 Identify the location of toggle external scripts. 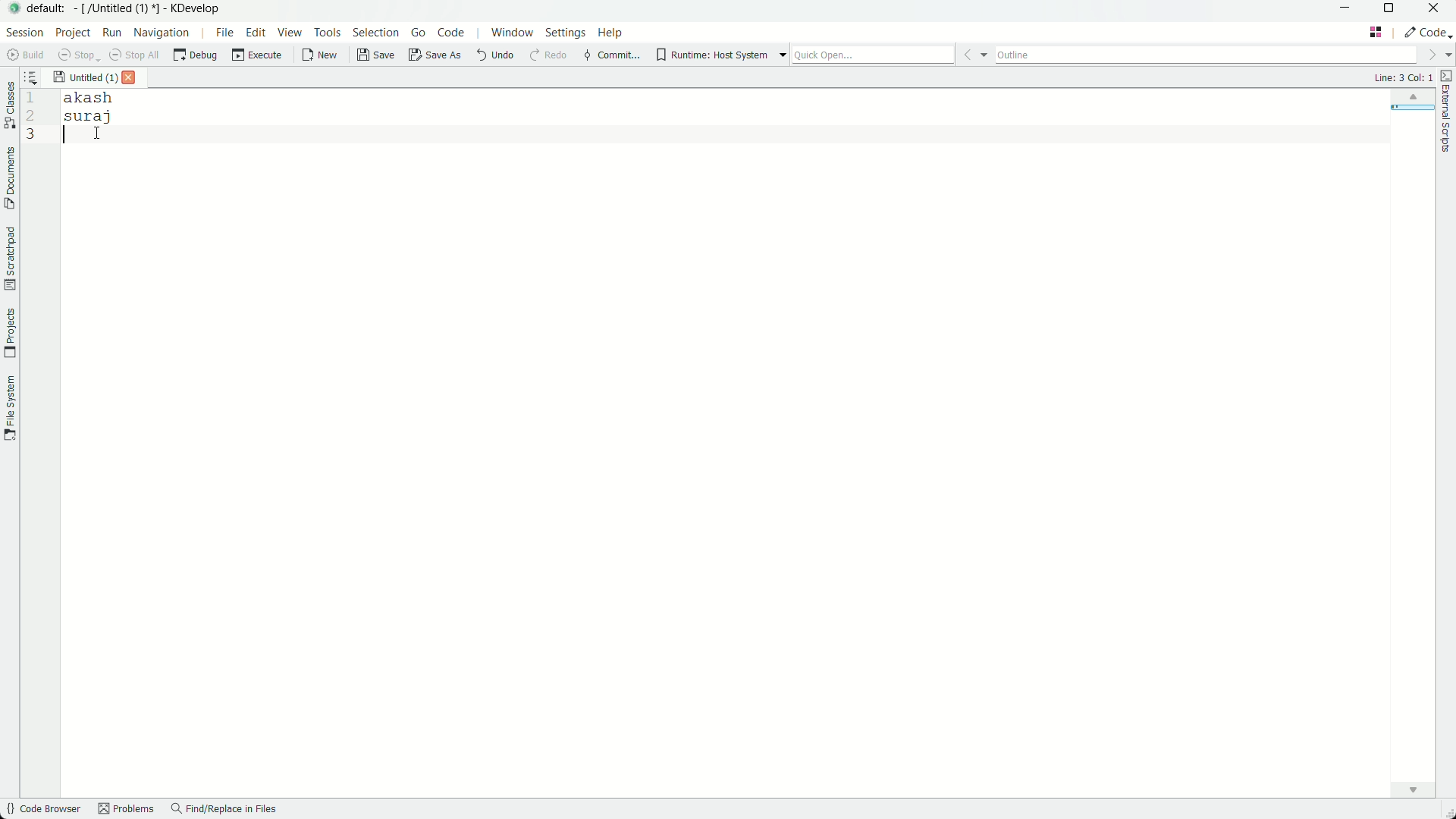
(1447, 111).